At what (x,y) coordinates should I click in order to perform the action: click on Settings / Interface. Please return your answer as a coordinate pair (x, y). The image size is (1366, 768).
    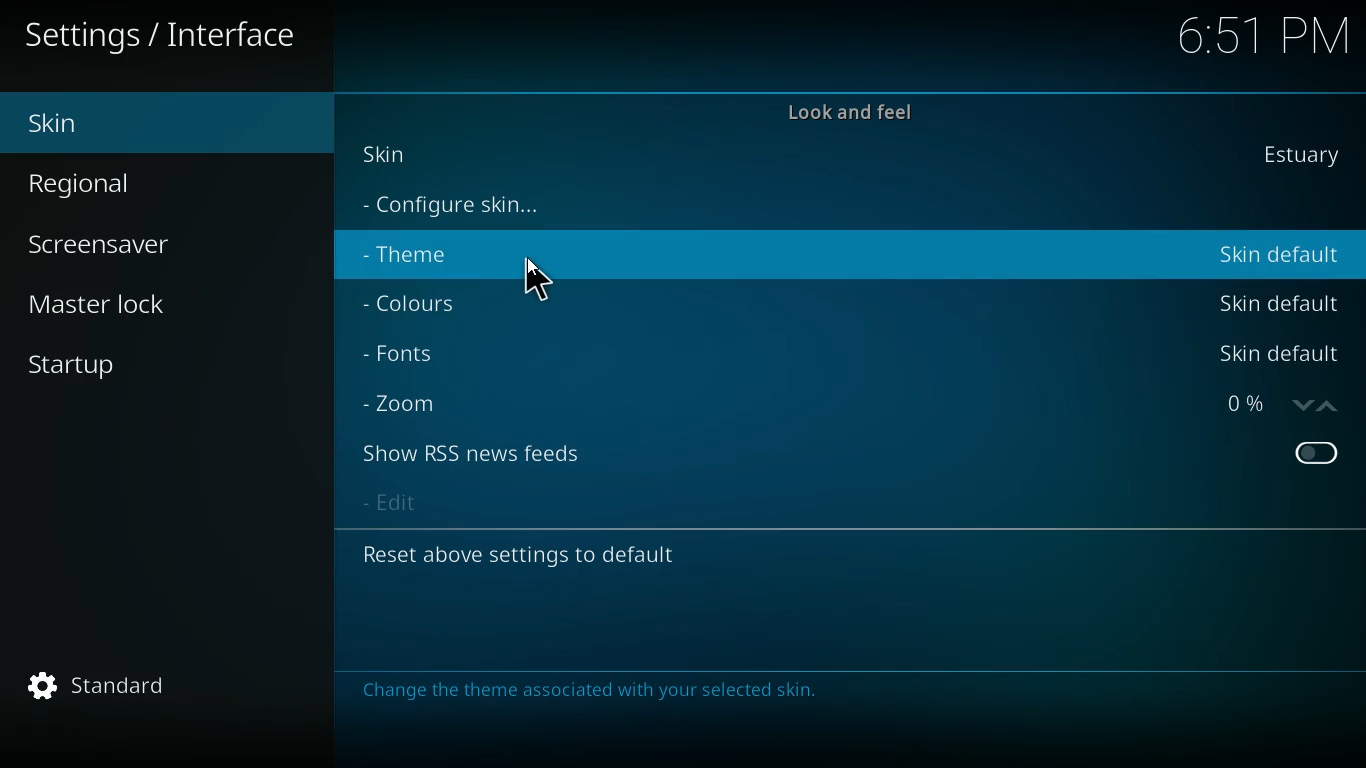
    Looking at the image, I should click on (167, 38).